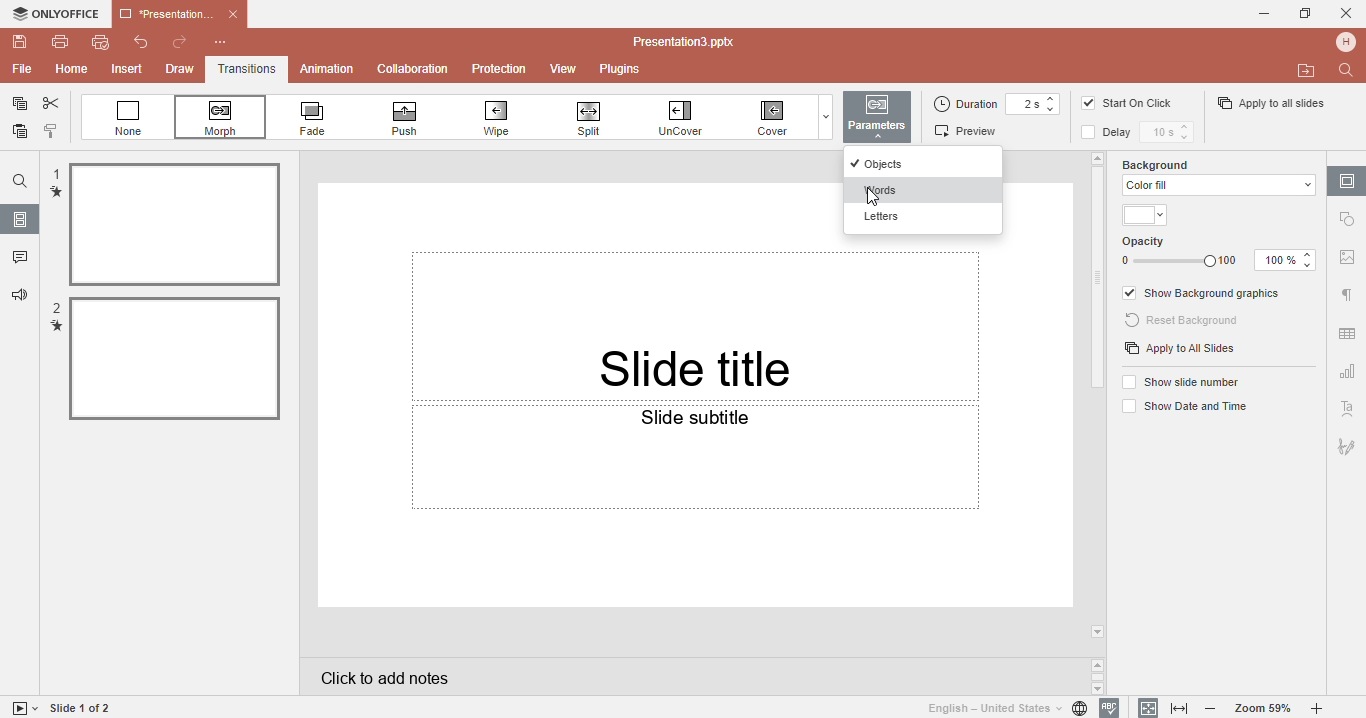 The image size is (1366, 718). I want to click on Draw, so click(178, 70).